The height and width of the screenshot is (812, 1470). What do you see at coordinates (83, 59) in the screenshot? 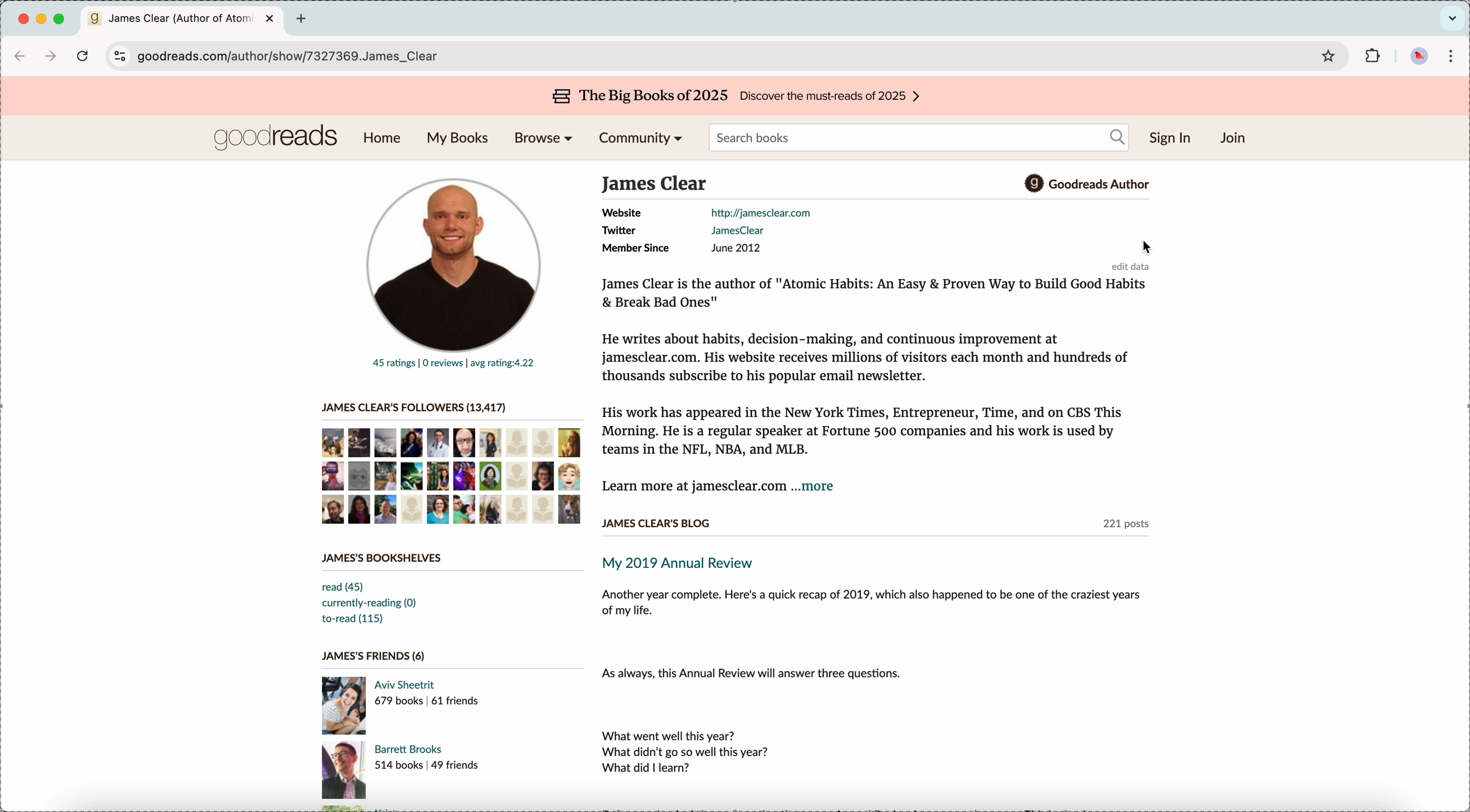
I see `refresh page` at bounding box center [83, 59].